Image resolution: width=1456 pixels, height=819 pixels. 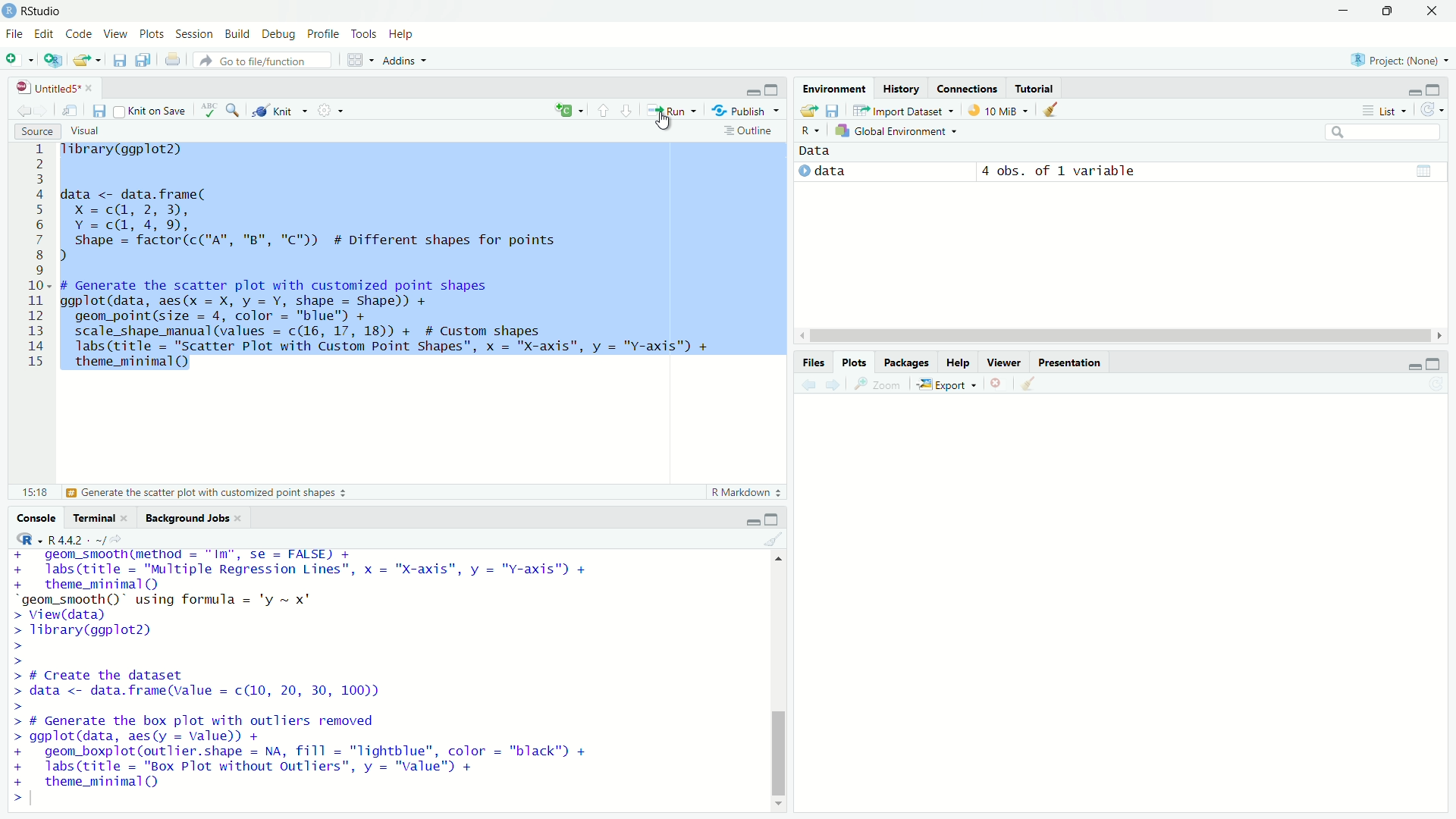 I want to click on Help, so click(x=401, y=33).